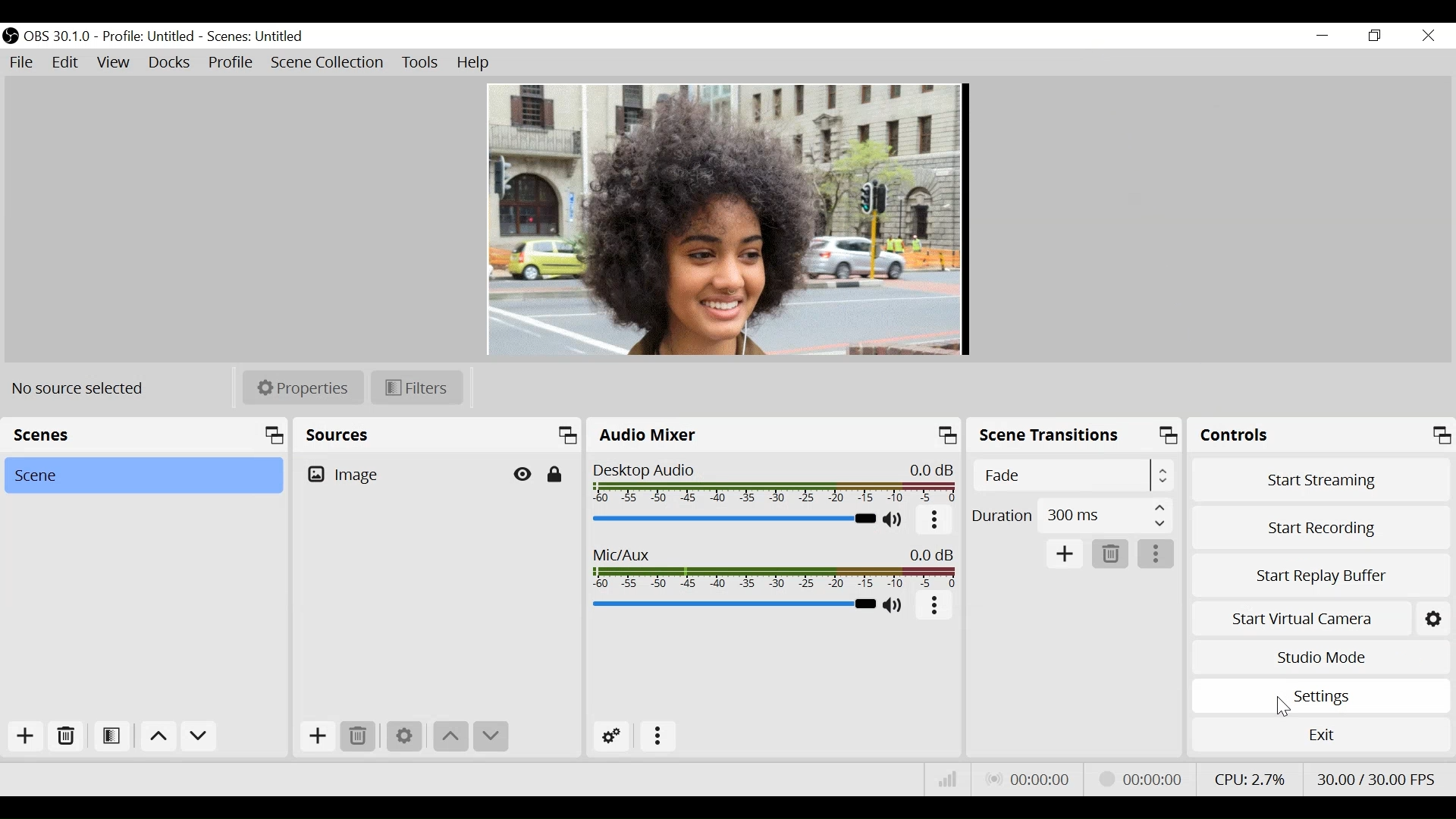 This screenshot has width=1456, height=819. What do you see at coordinates (1321, 573) in the screenshot?
I see `Start Replay Buffer` at bounding box center [1321, 573].